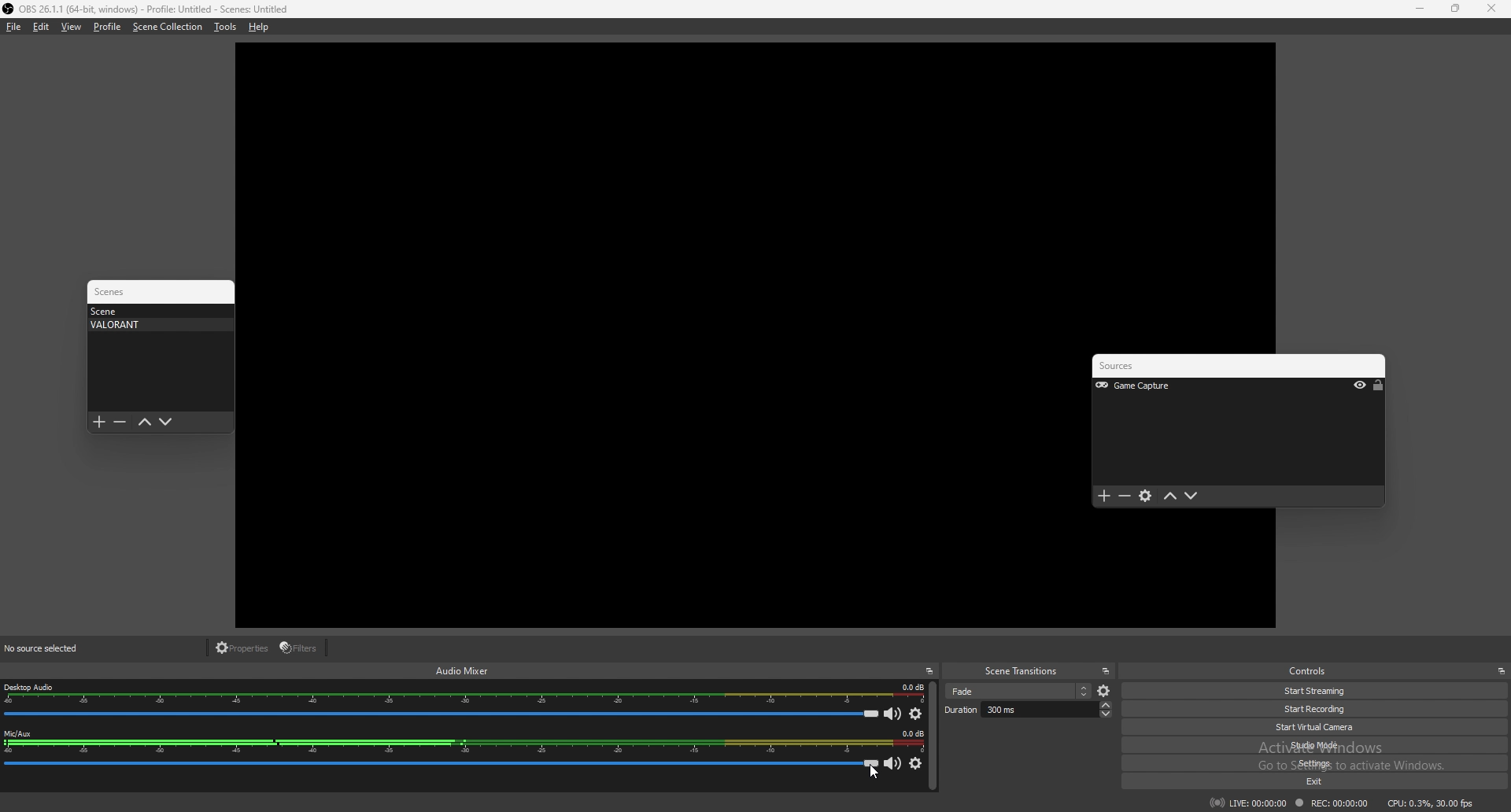  What do you see at coordinates (1455, 8) in the screenshot?
I see `resize` at bounding box center [1455, 8].